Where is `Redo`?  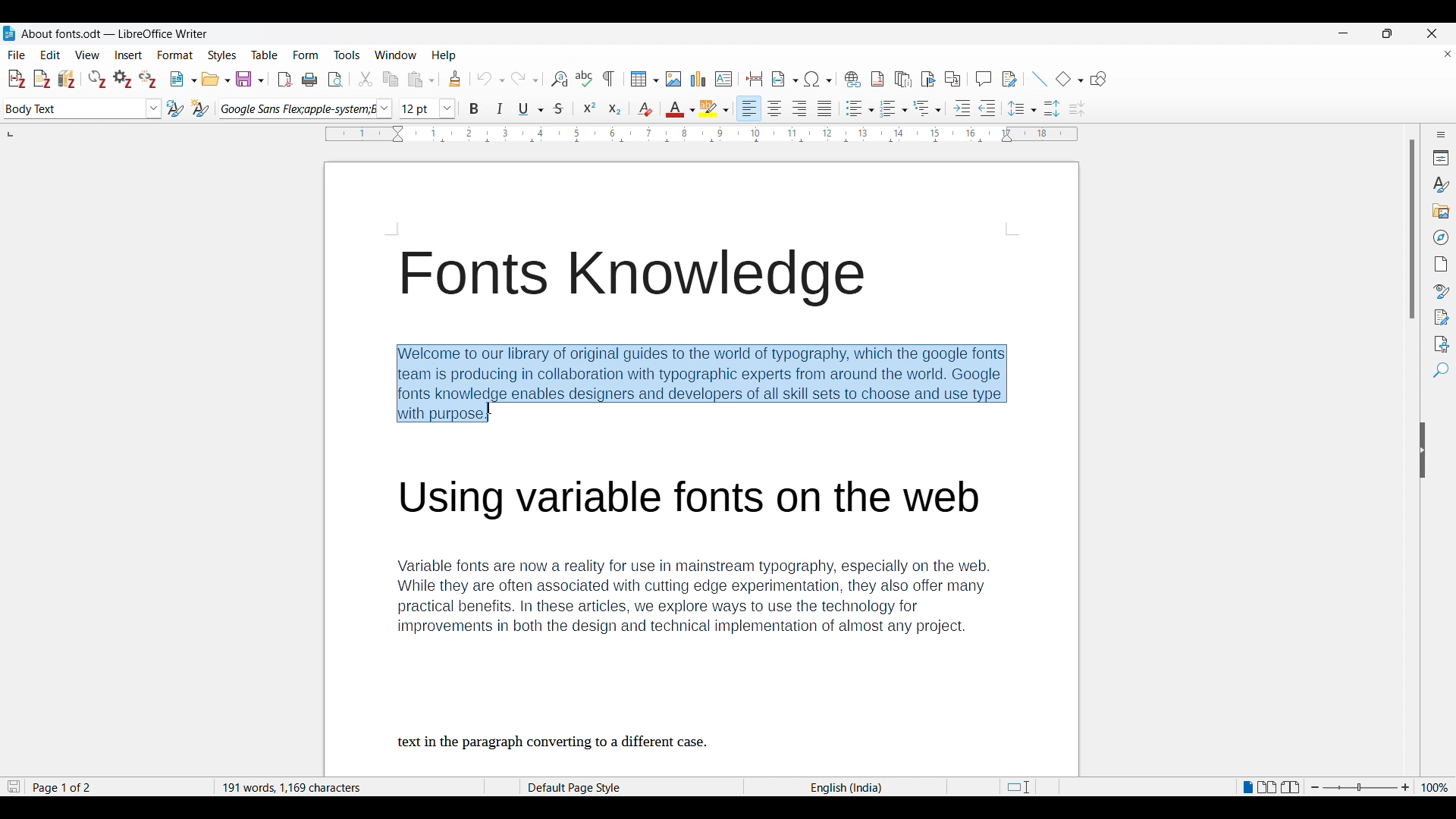
Redo is located at coordinates (525, 79).